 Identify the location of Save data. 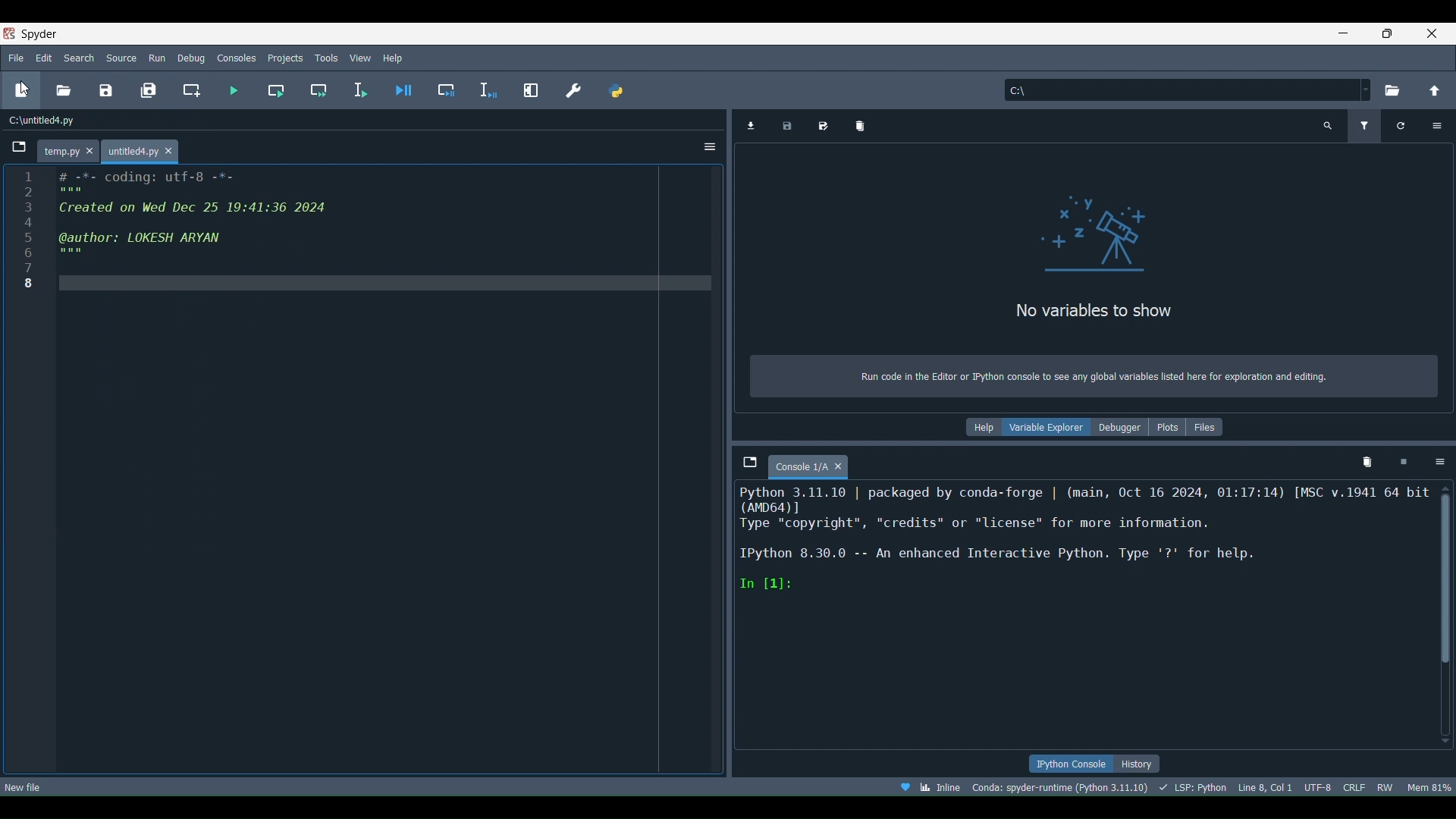
(787, 127).